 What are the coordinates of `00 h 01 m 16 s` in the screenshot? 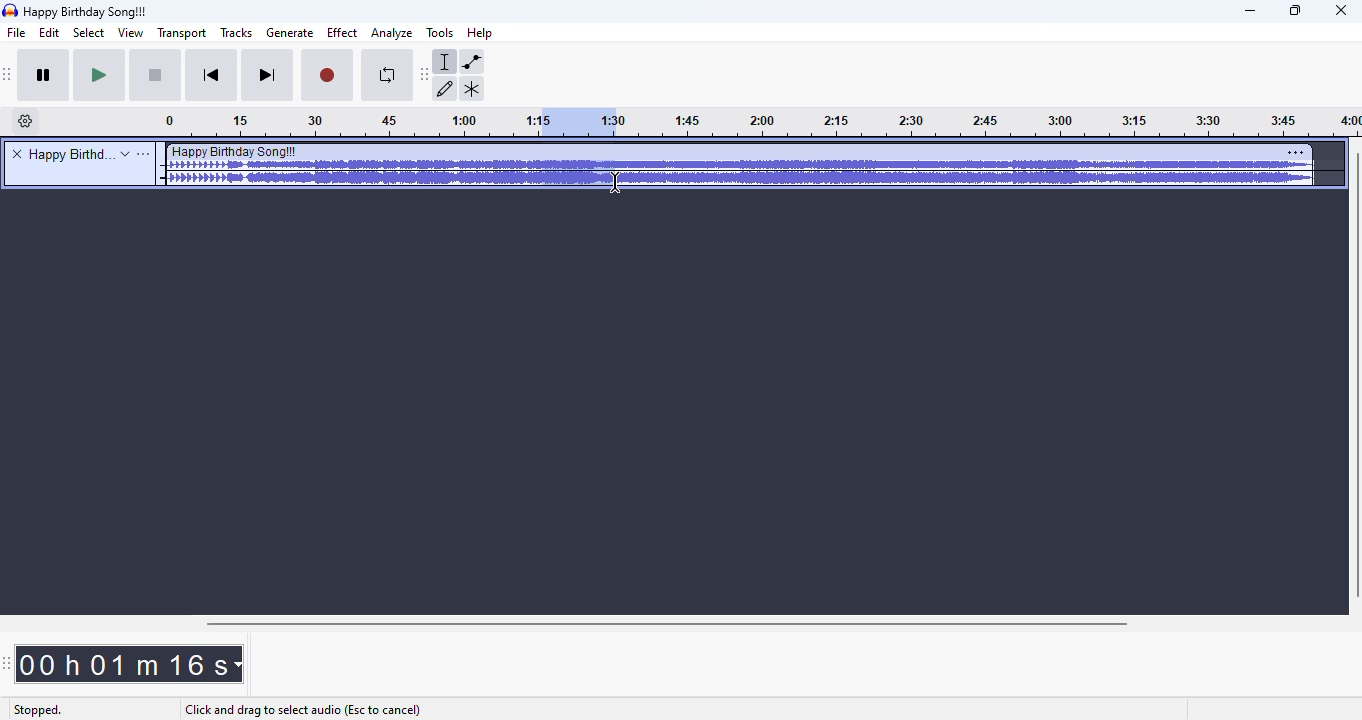 It's located at (129, 664).